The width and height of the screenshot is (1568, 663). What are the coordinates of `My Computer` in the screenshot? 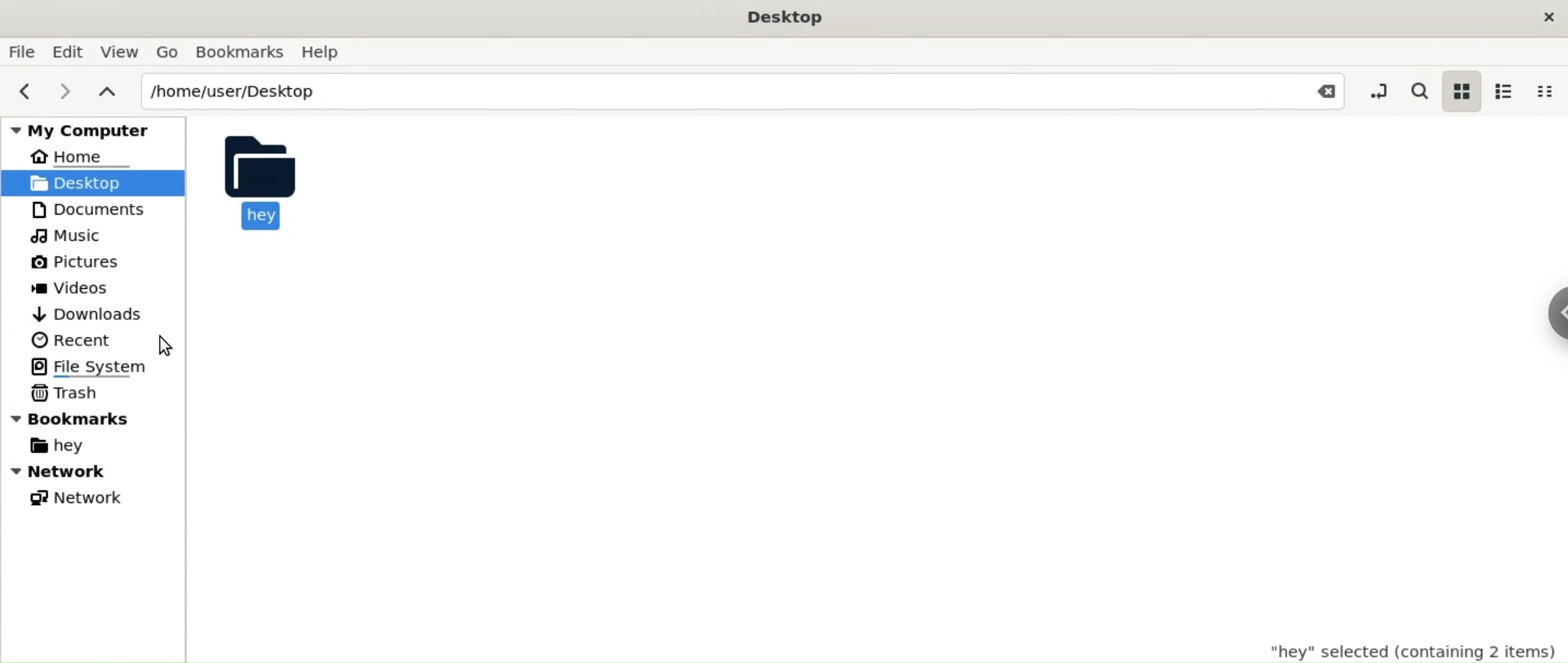 It's located at (89, 127).